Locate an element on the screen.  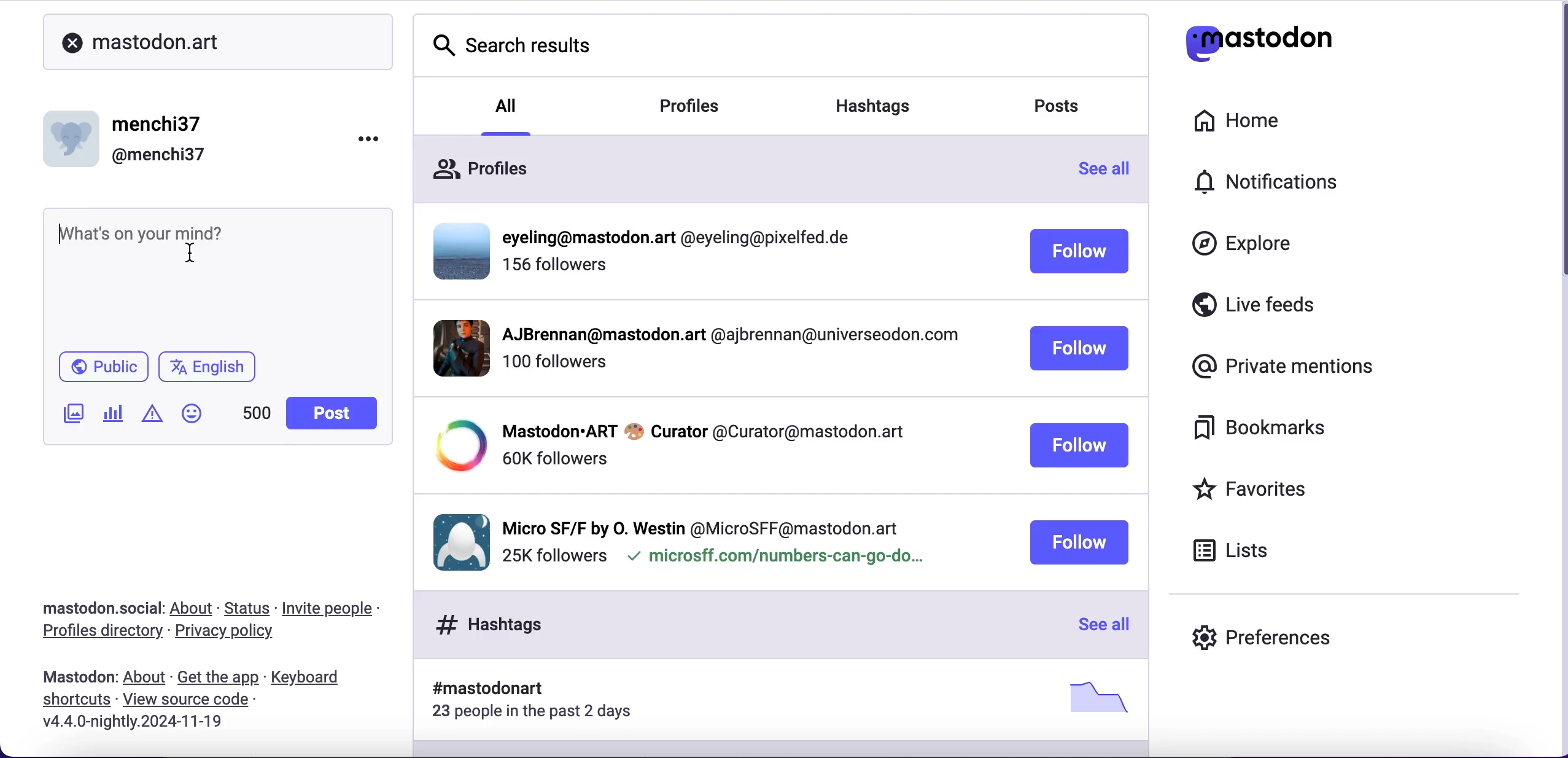
user profile is located at coordinates (724, 348).